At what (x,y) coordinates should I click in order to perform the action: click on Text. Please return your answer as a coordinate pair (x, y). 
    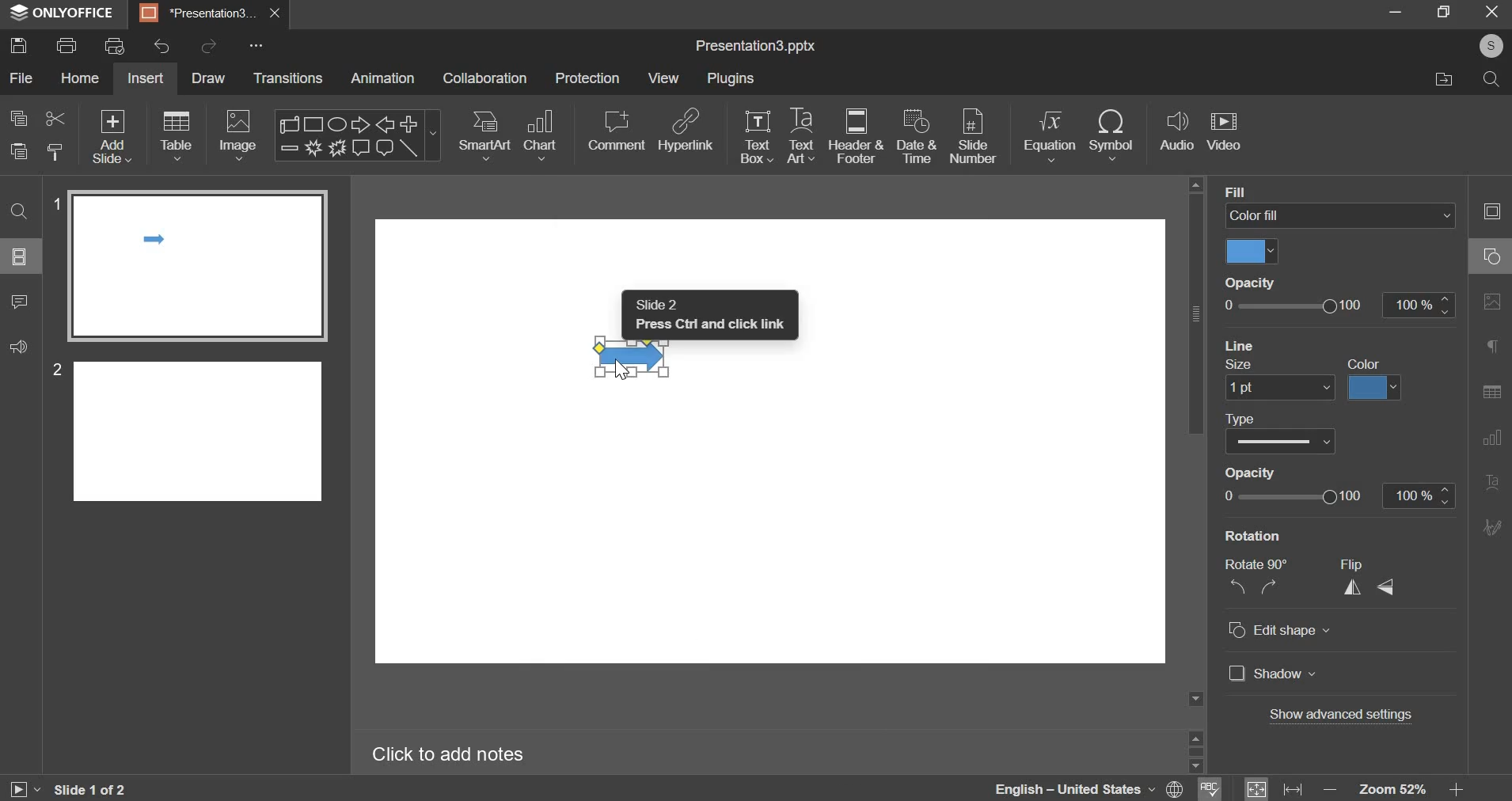
    Looking at the image, I should click on (712, 314).